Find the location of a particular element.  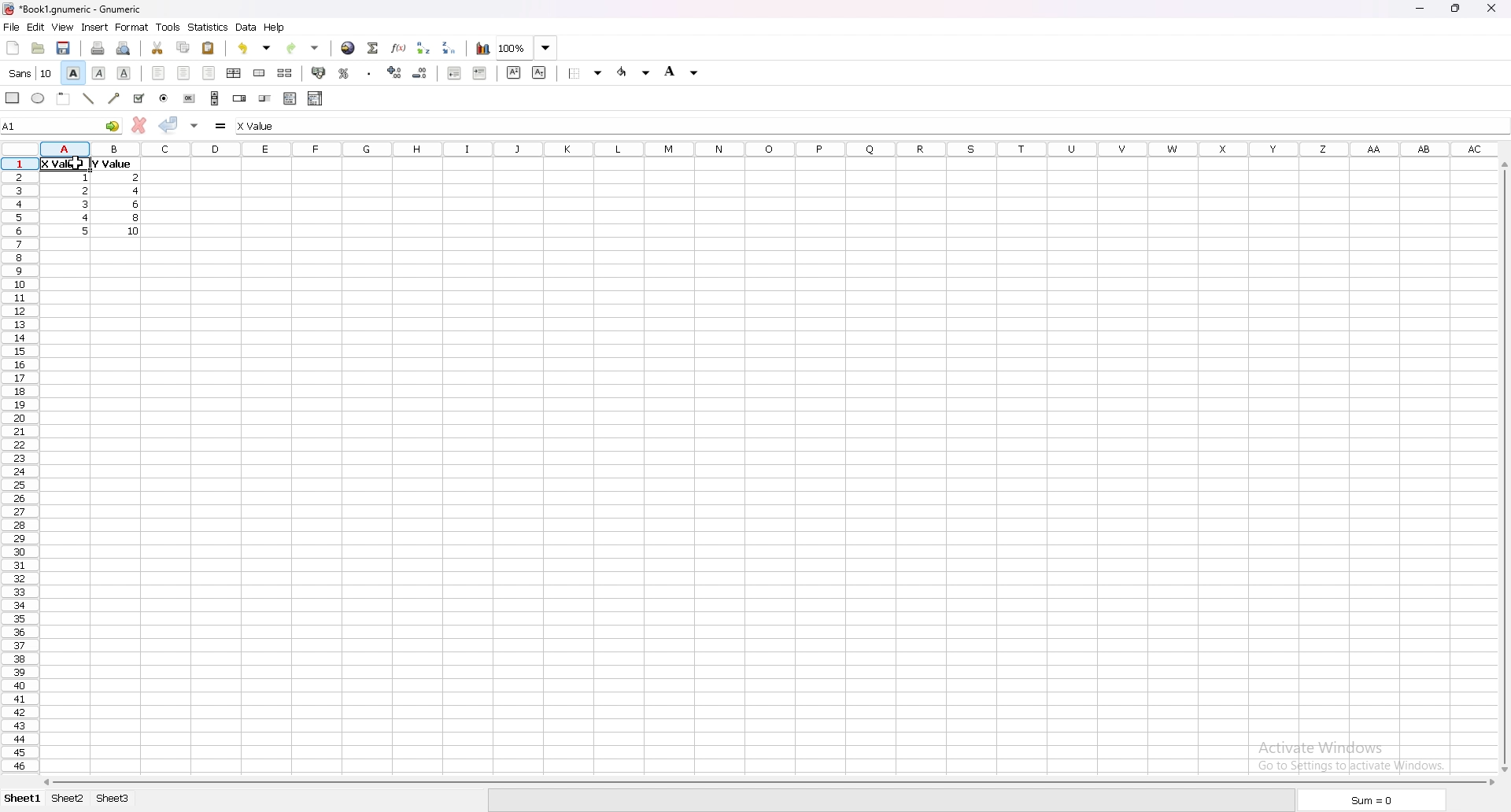

redo is located at coordinates (305, 48).